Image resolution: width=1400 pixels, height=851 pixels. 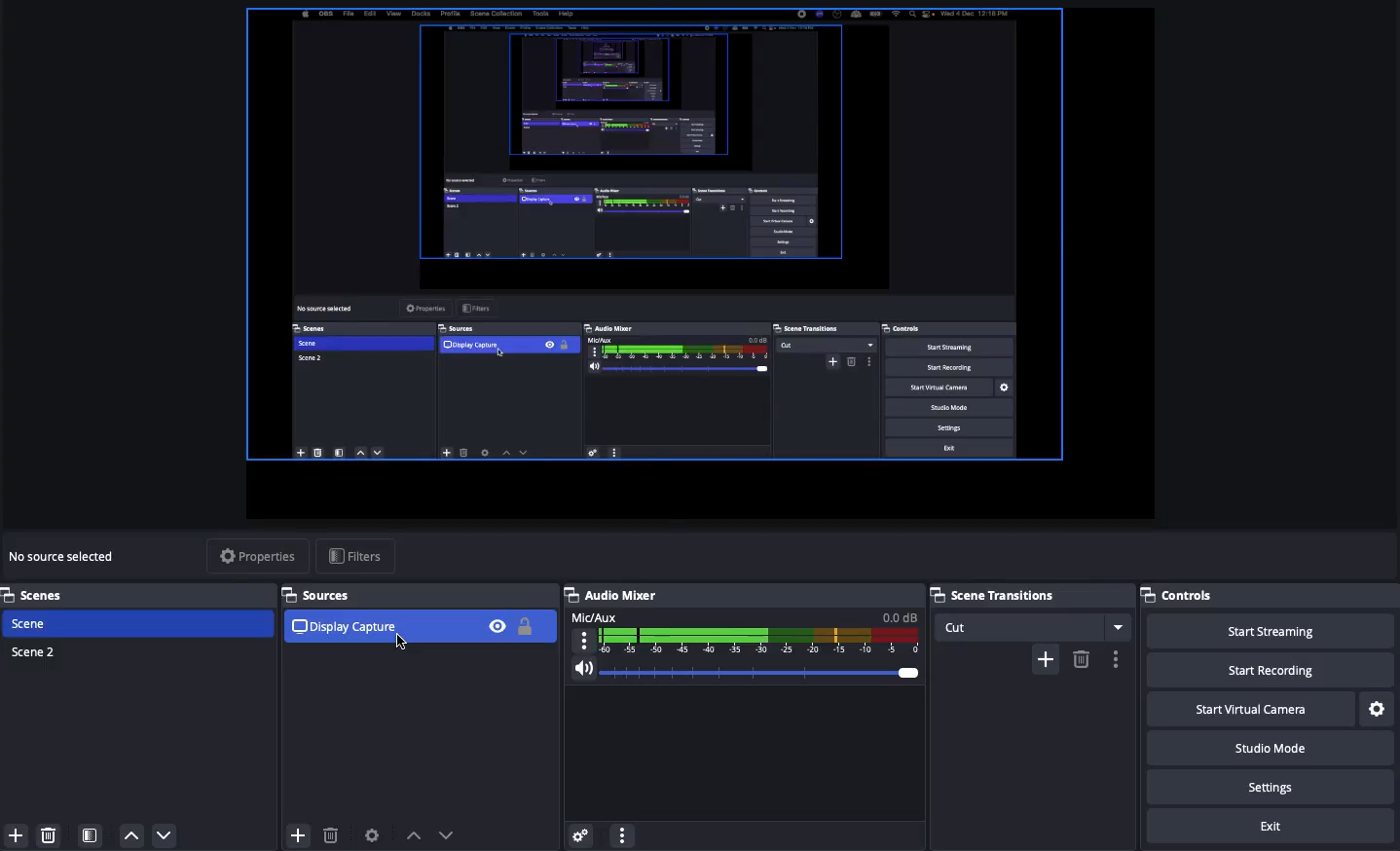 I want to click on add, so click(x=293, y=833).